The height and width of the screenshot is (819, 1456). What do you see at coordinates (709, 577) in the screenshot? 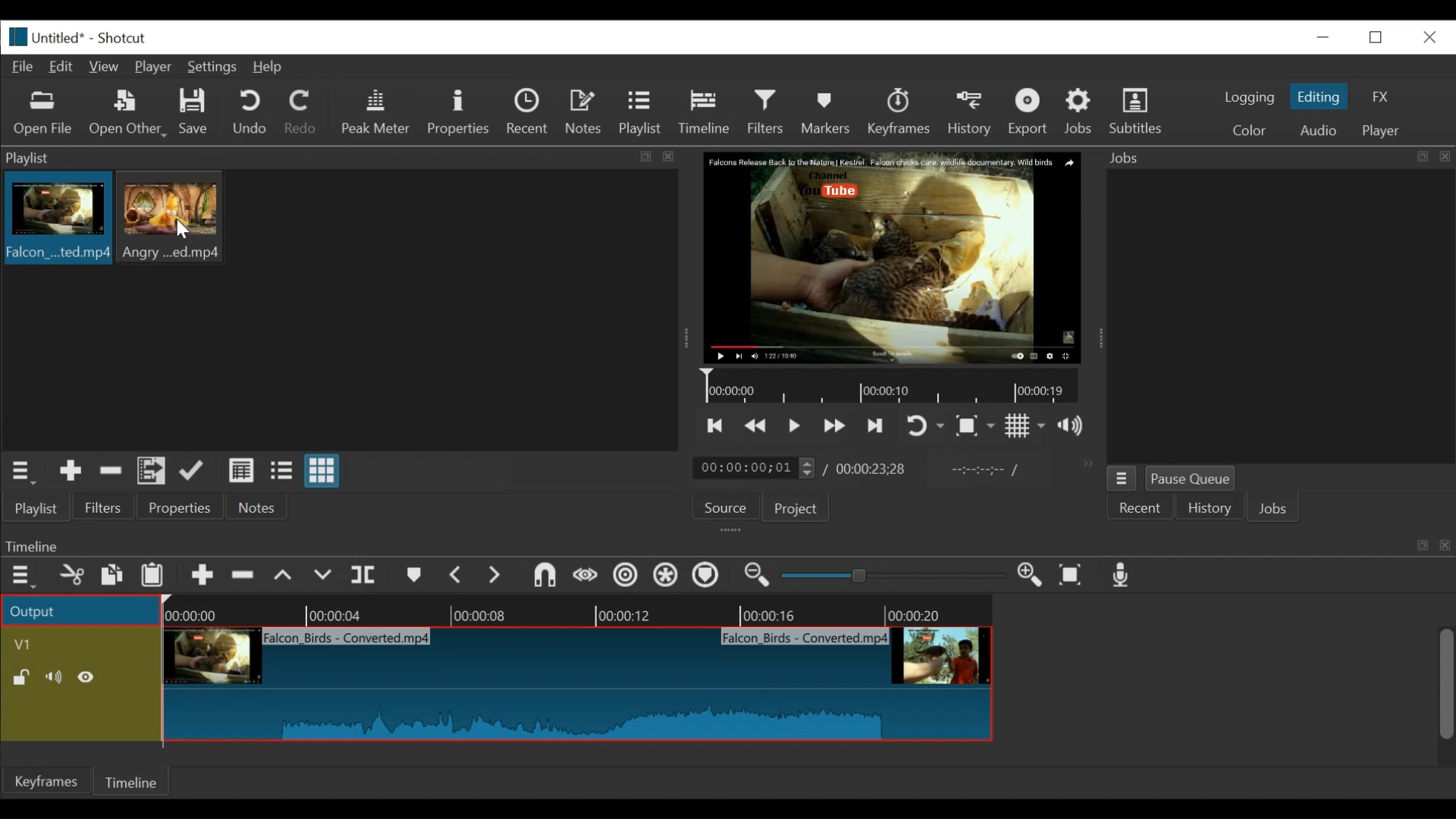
I see `Ripple markers` at bounding box center [709, 577].